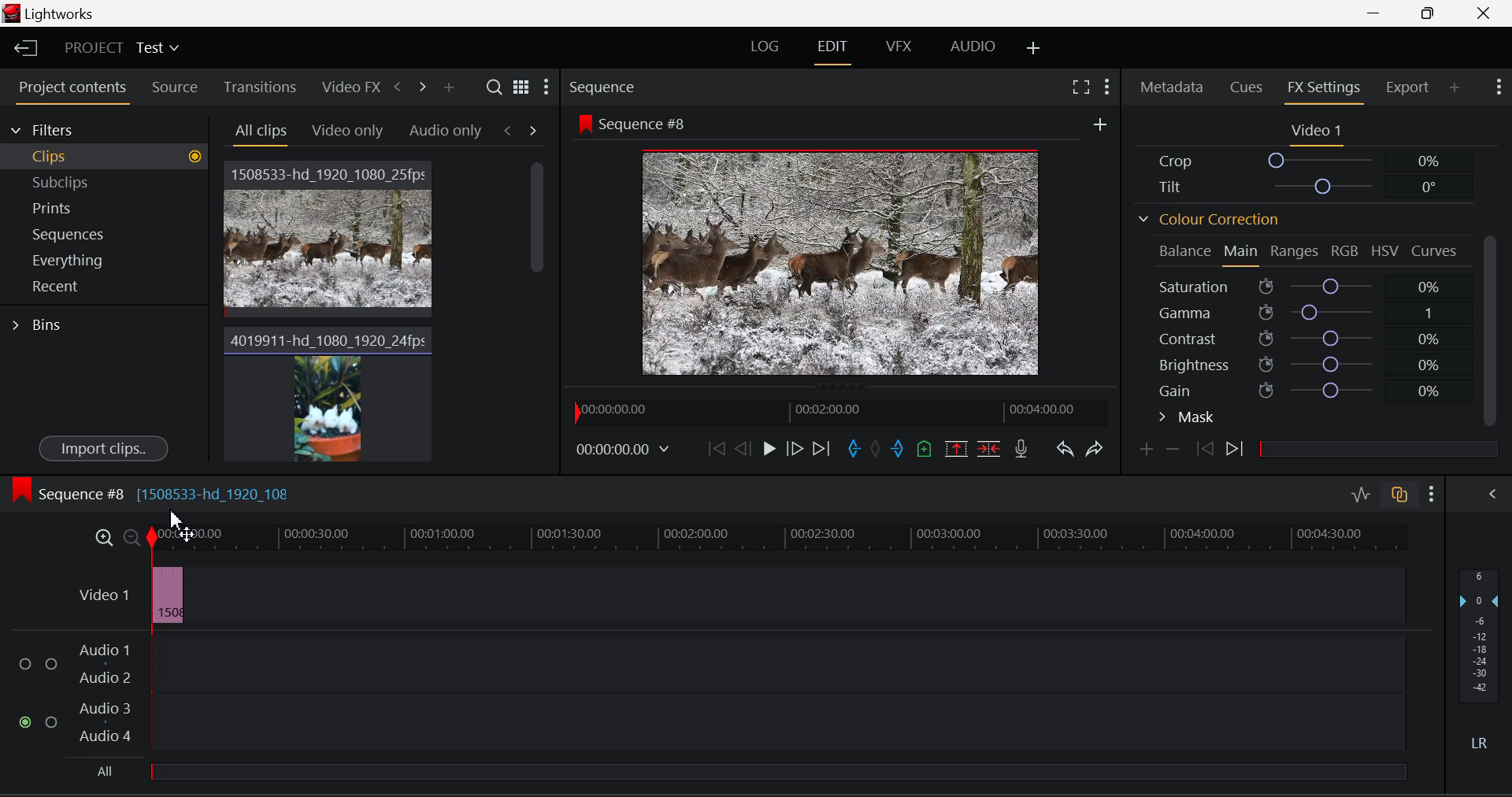 Image resolution: width=1512 pixels, height=797 pixels. I want to click on Scroll Bar, so click(535, 237).